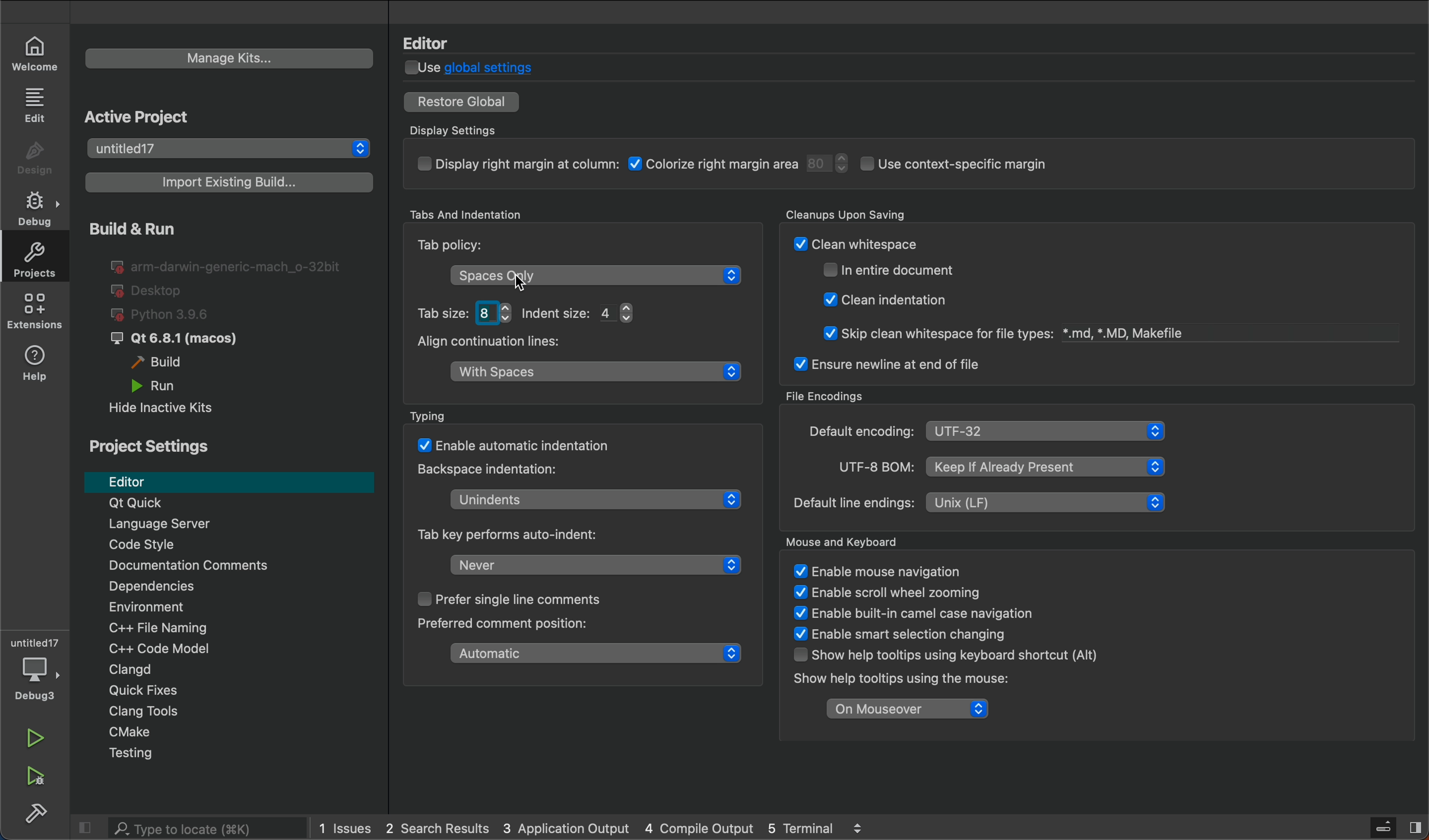 The image size is (1429, 840). I want to click on search, so click(189, 828).